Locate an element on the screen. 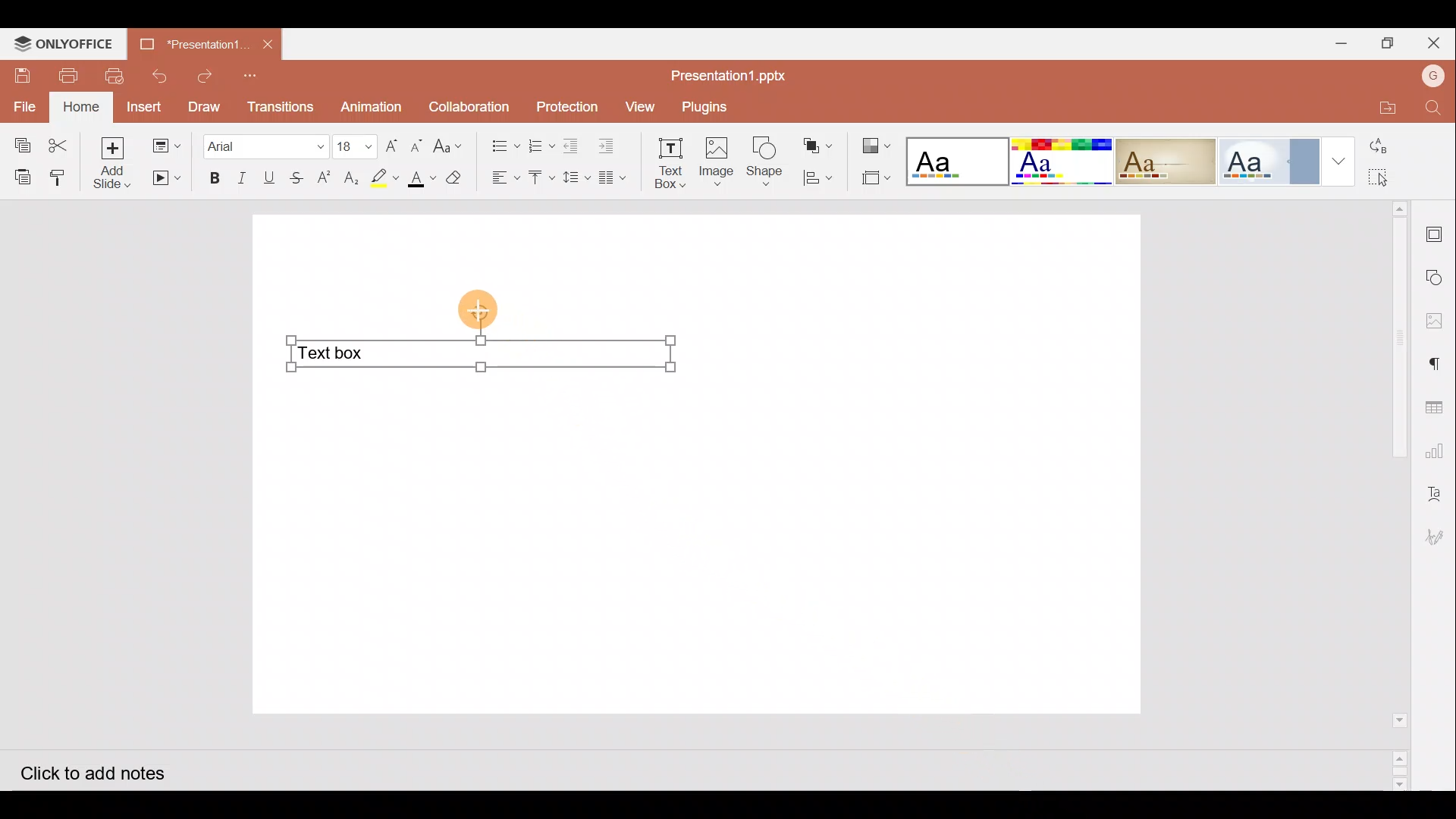 Image resolution: width=1456 pixels, height=819 pixels. Home is located at coordinates (83, 106).